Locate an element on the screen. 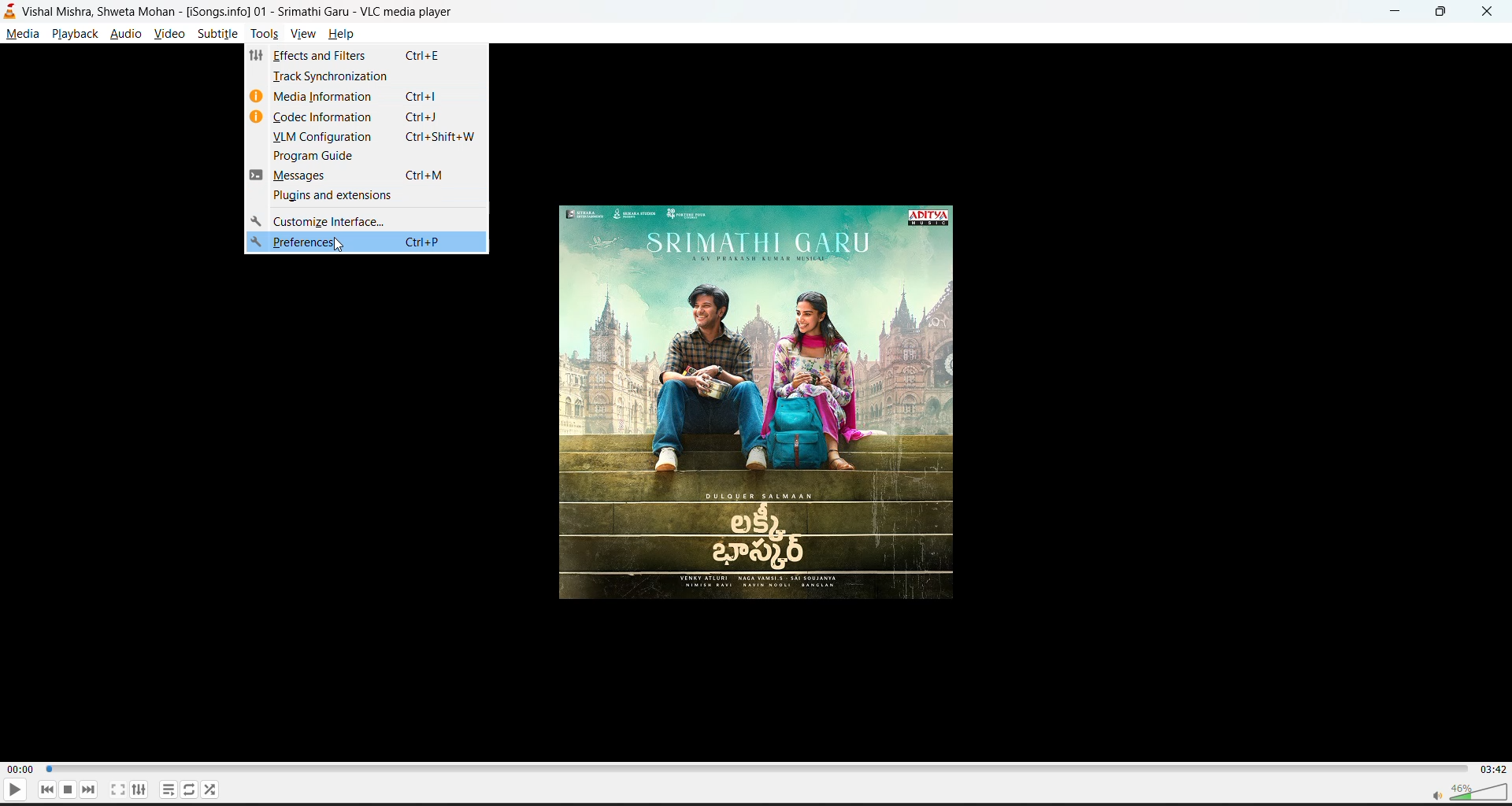 The height and width of the screenshot is (806, 1512). messages is located at coordinates (368, 174).